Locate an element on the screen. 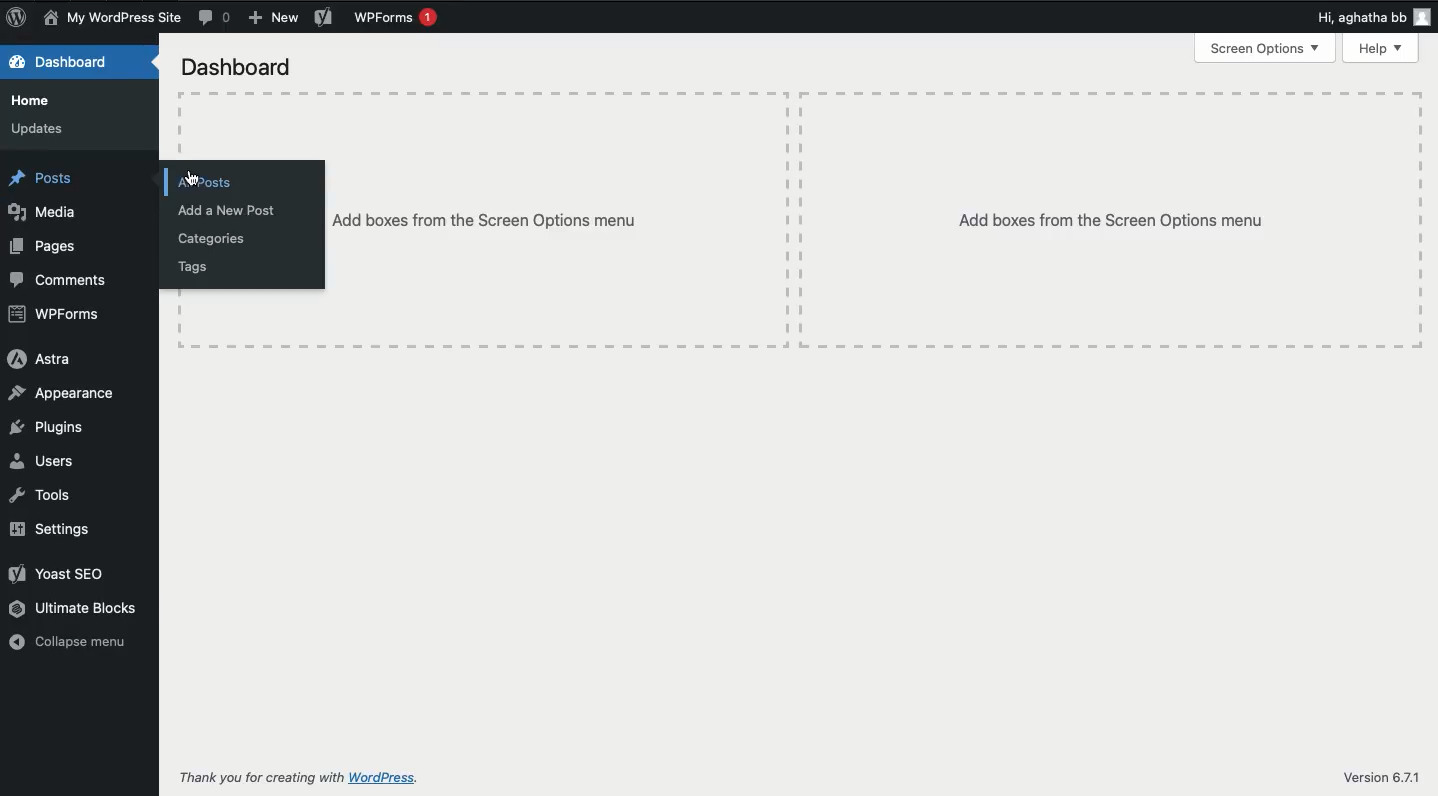 The height and width of the screenshot is (796, 1438). Media is located at coordinates (44, 213).